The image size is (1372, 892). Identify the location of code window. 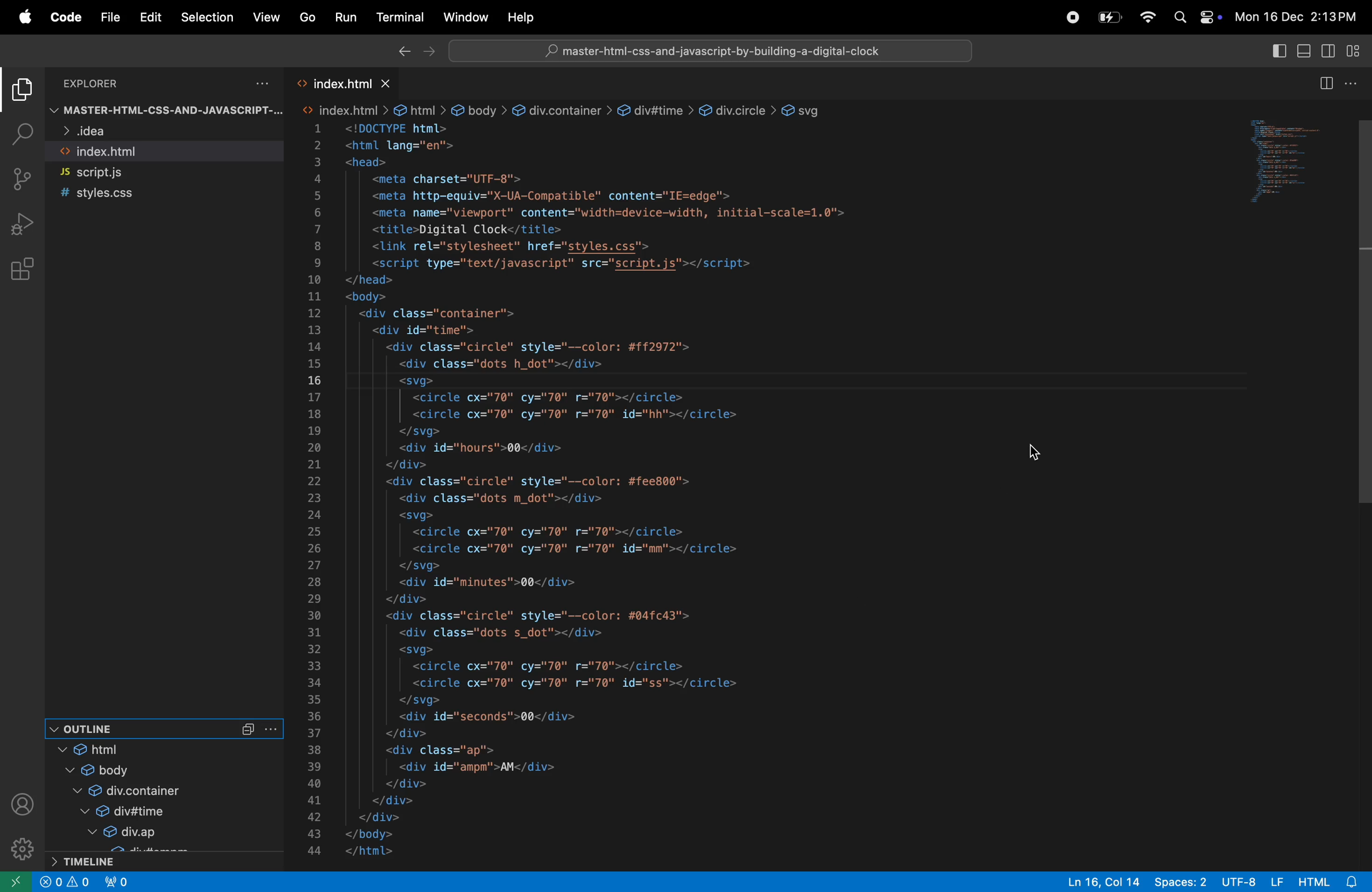
(1286, 160).